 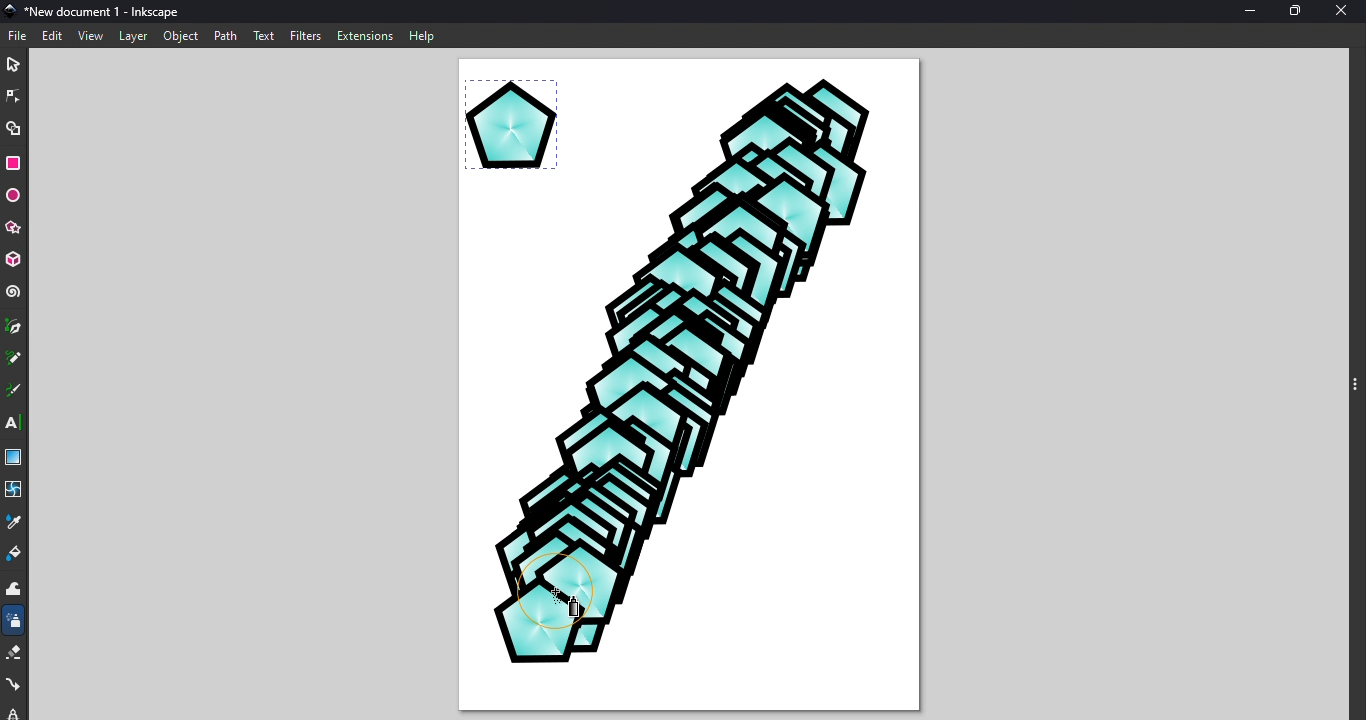 What do you see at coordinates (685, 390) in the screenshot?
I see `Canvas` at bounding box center [685, 390].